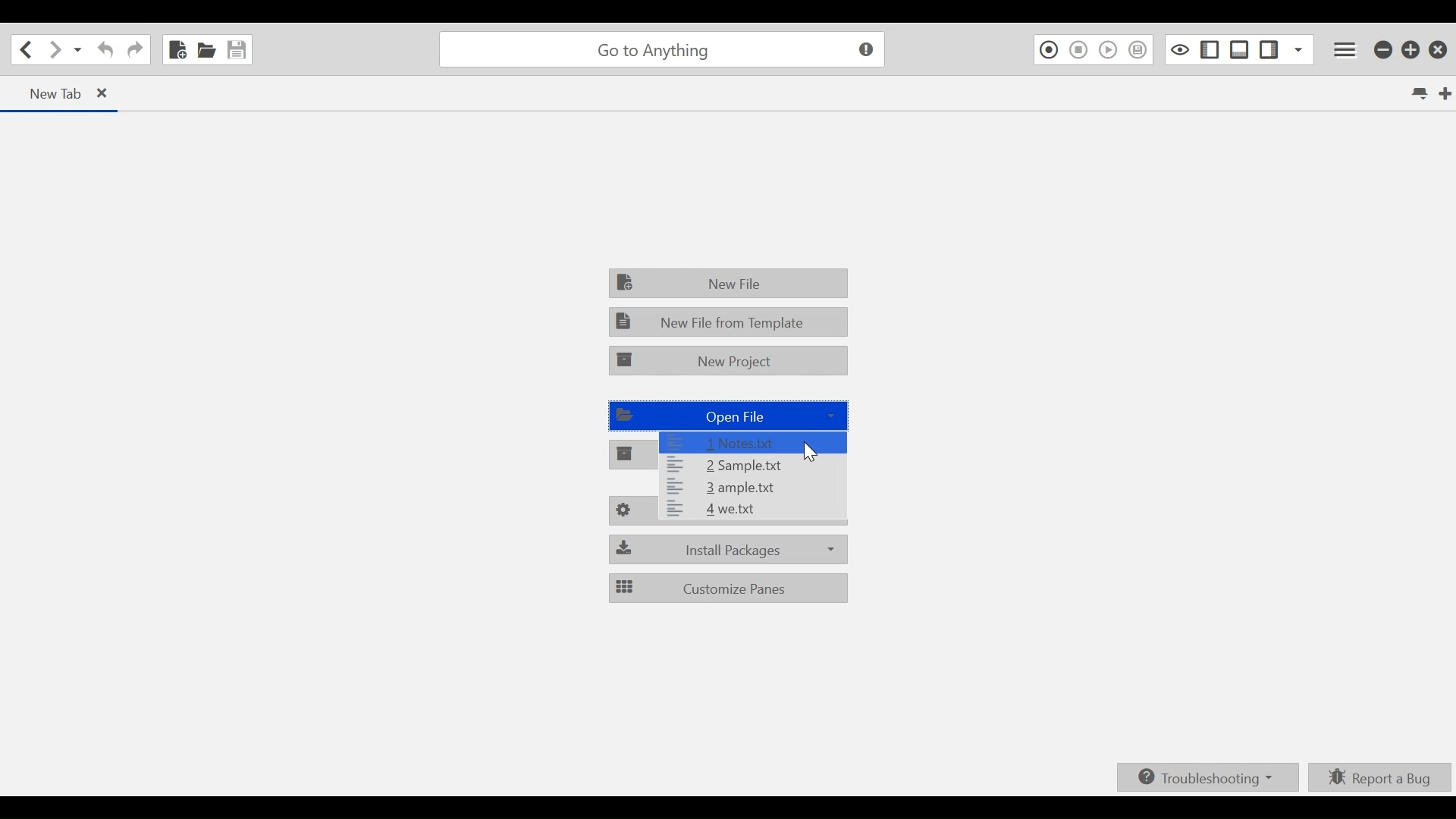 The width and height of the screenshot is (1456, 819). Describe the element at coordinates (727, 284) in the screenshot. I see `New File` at that location.